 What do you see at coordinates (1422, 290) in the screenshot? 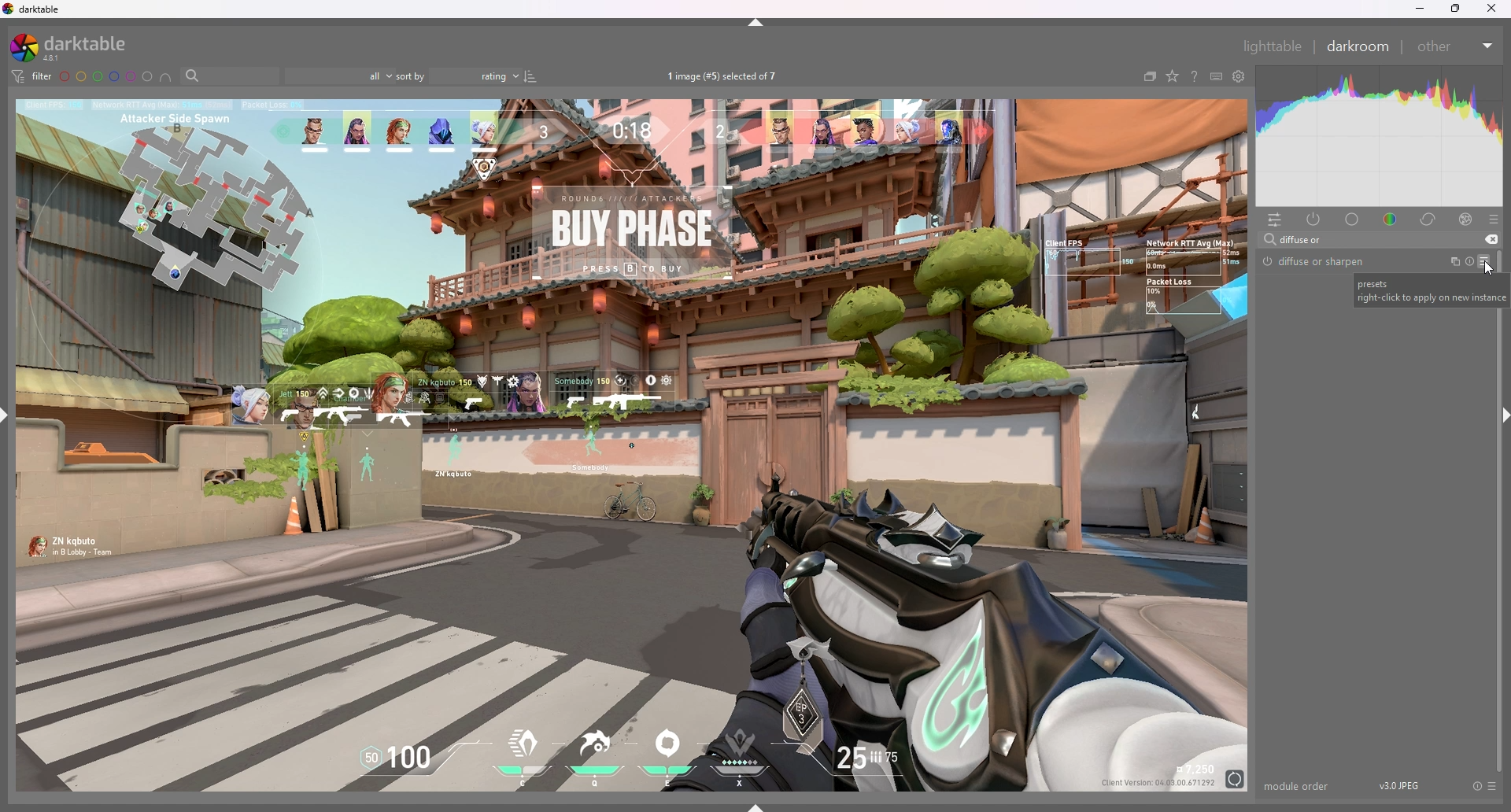
I see `cursor description` at bounding box center [1422, 290].